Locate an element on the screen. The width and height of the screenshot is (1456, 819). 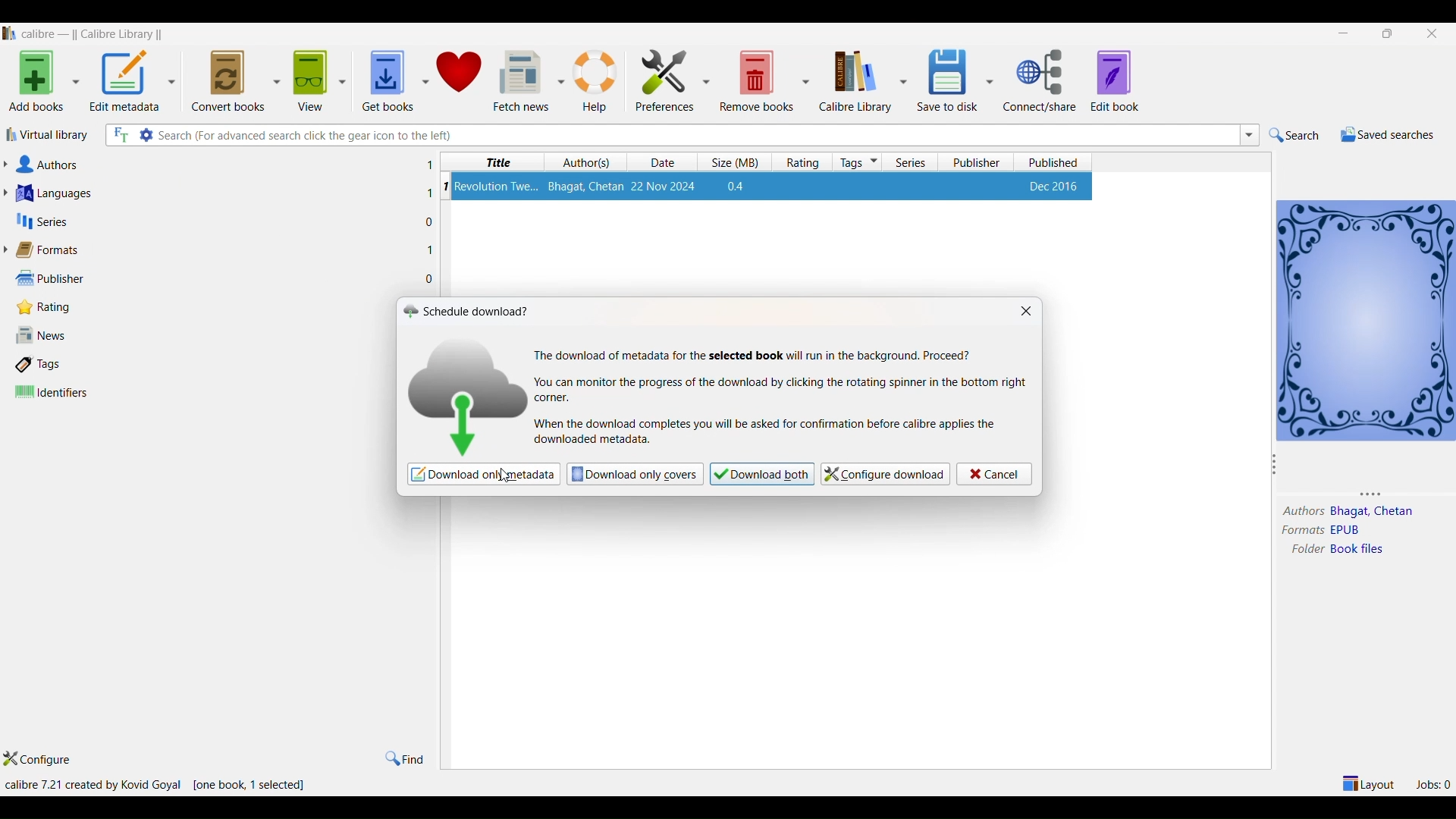
connect/share is located at coordinates (1040, 82).